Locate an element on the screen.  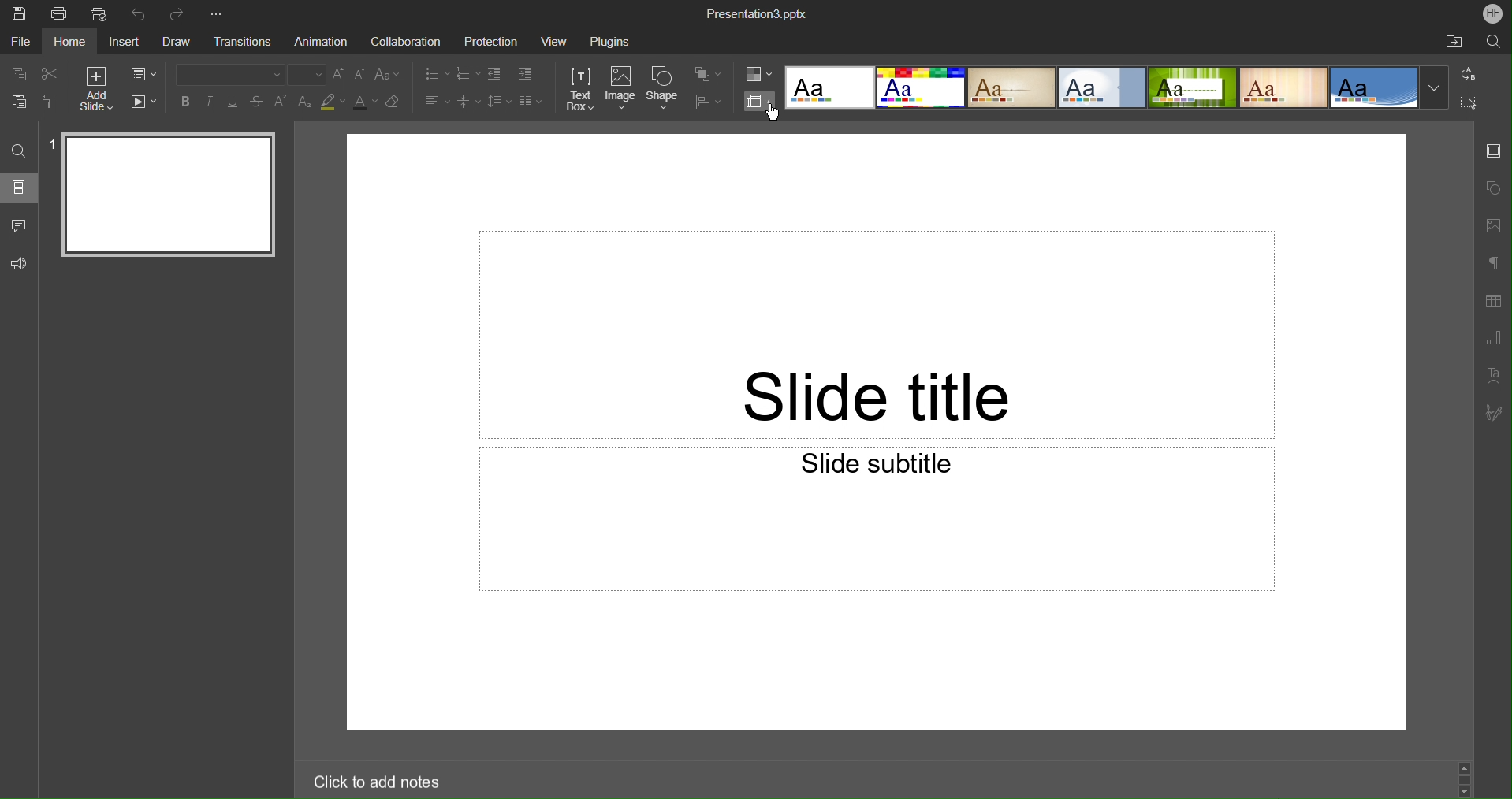
Bold is located at coordinates (184, 102).